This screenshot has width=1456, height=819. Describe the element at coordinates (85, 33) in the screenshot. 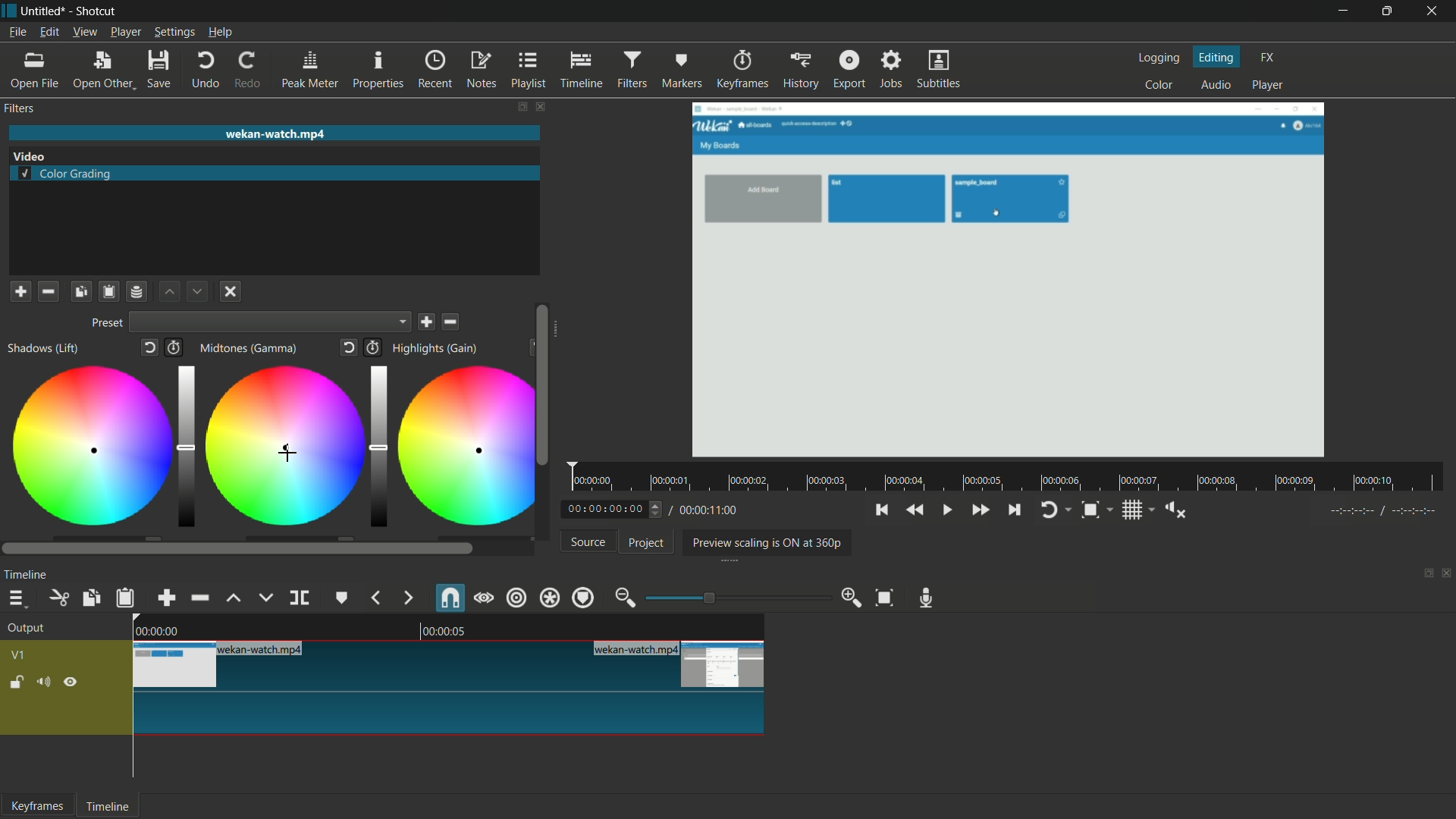

I see `view menu` at that location.